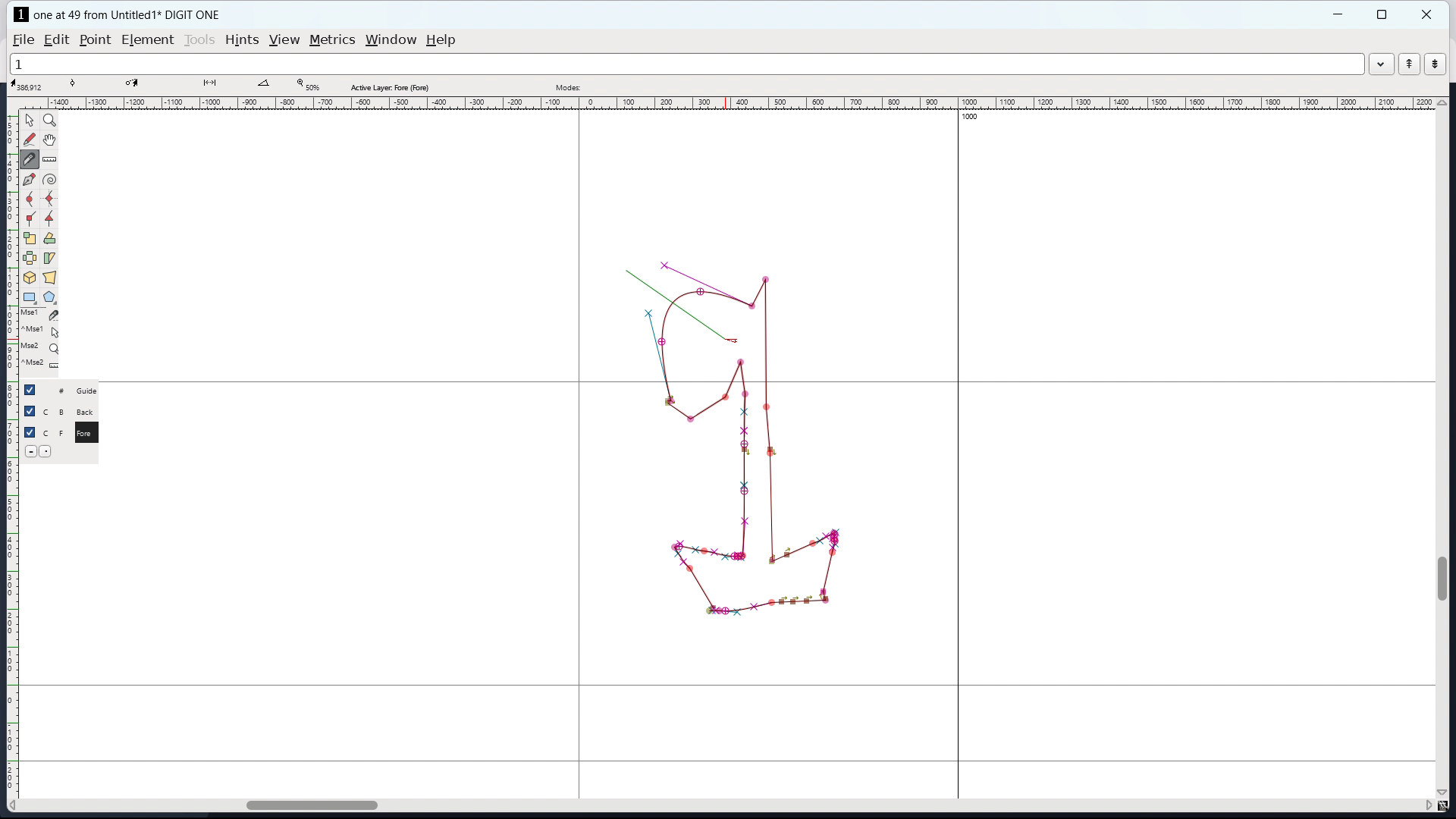 This screenshot has width=1456, height=819. What do you see at coordinates (51, 218) in the screenshot?
I see `add a tangent point` at bounding box center [51, 218].